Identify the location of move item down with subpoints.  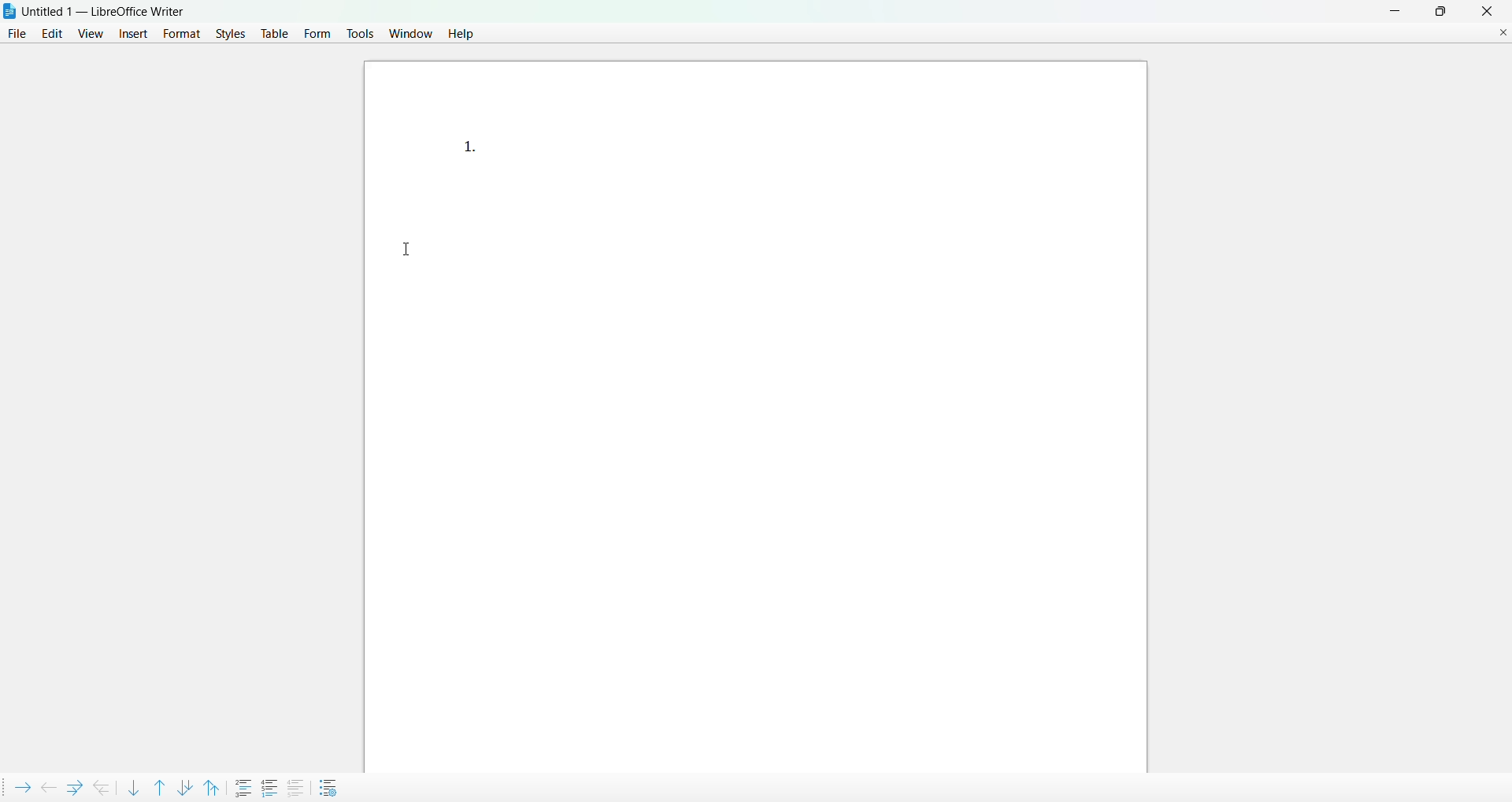
(185, 785).